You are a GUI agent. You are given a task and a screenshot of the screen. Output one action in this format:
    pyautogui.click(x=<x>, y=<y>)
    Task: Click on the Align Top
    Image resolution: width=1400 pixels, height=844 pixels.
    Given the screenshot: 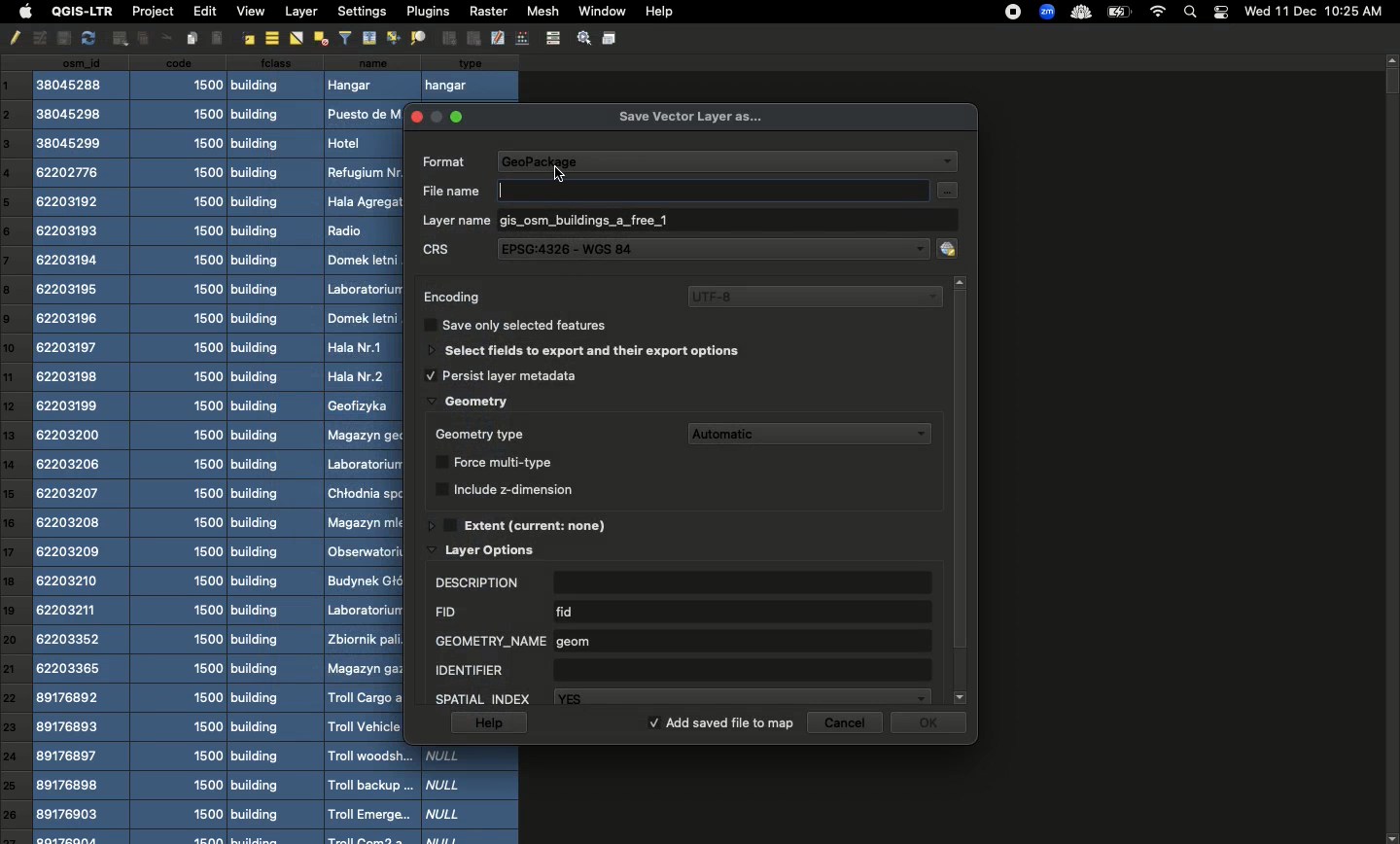 What is the action you would take?
    pyautogui.click(x=369, y=37)
    